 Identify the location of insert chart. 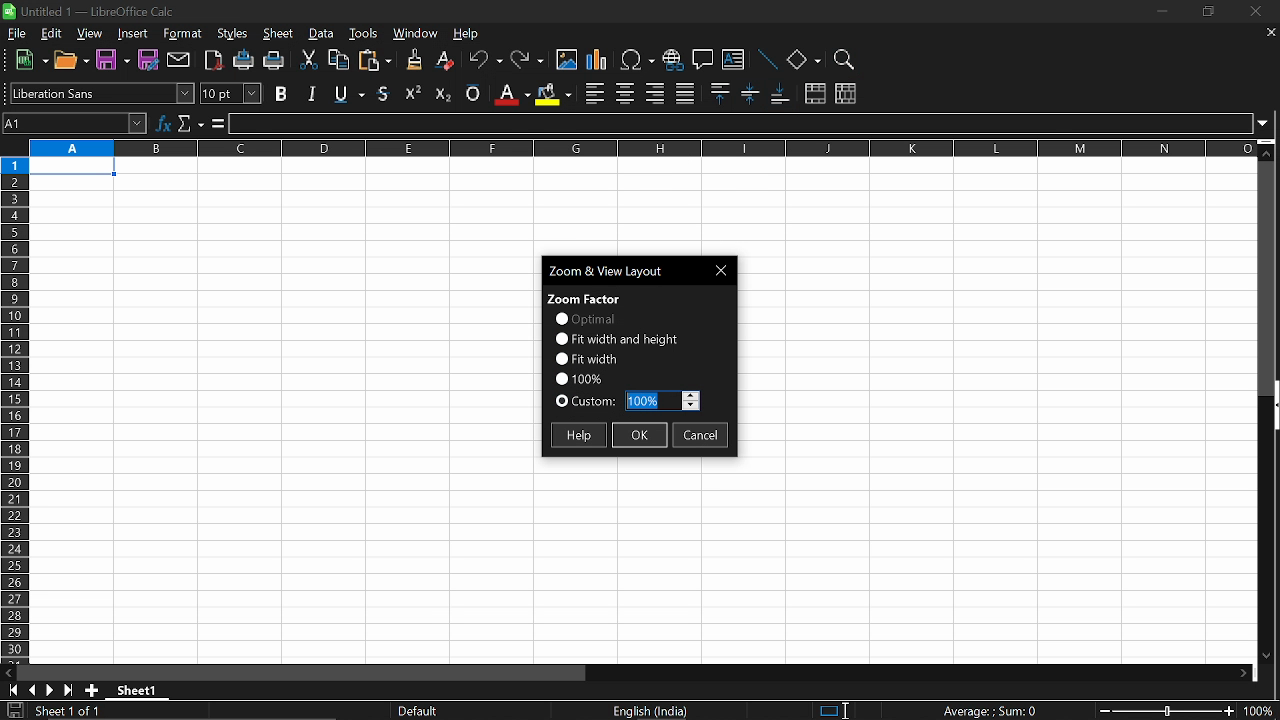
(597, 61).